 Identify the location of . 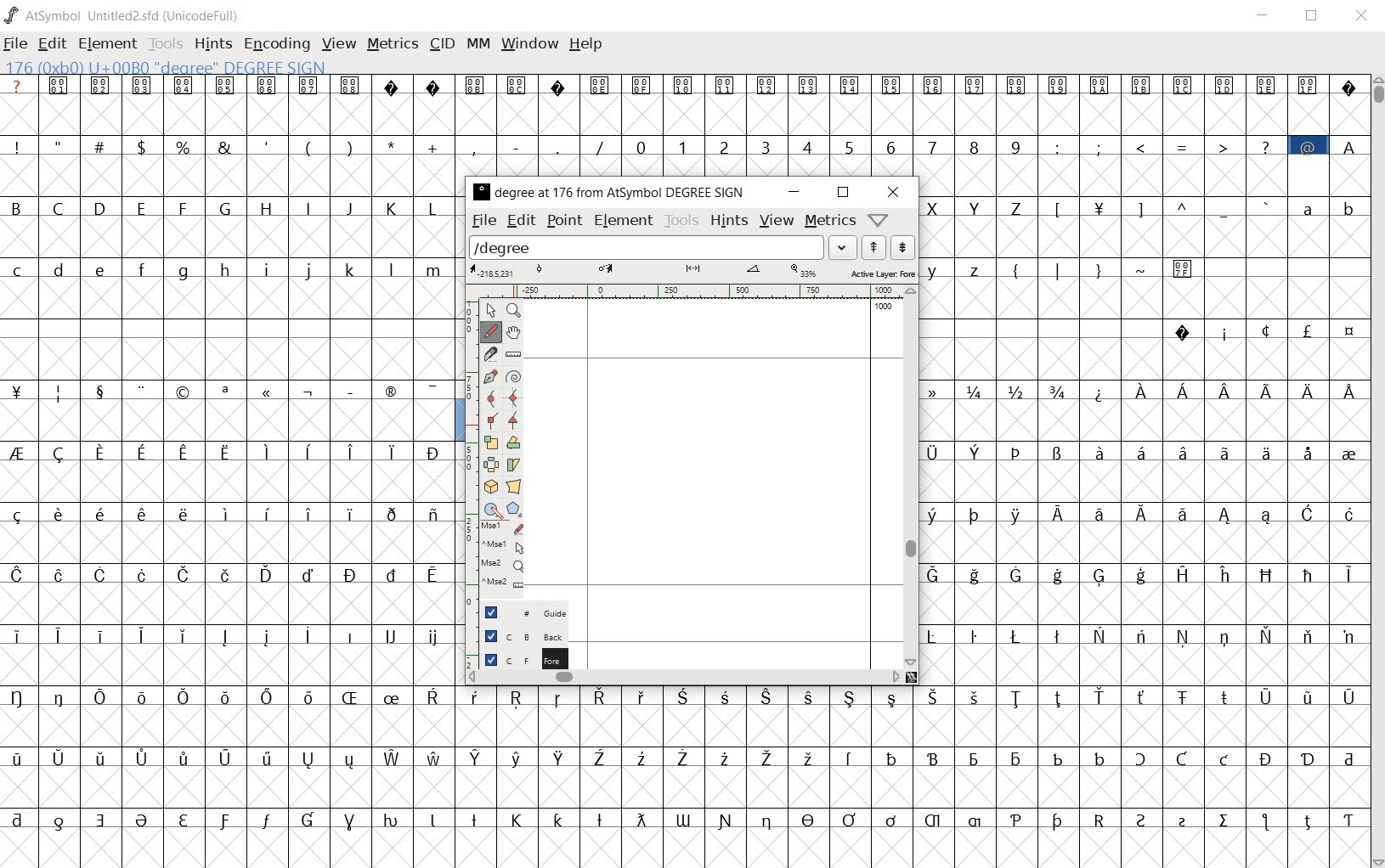
(229, 511).